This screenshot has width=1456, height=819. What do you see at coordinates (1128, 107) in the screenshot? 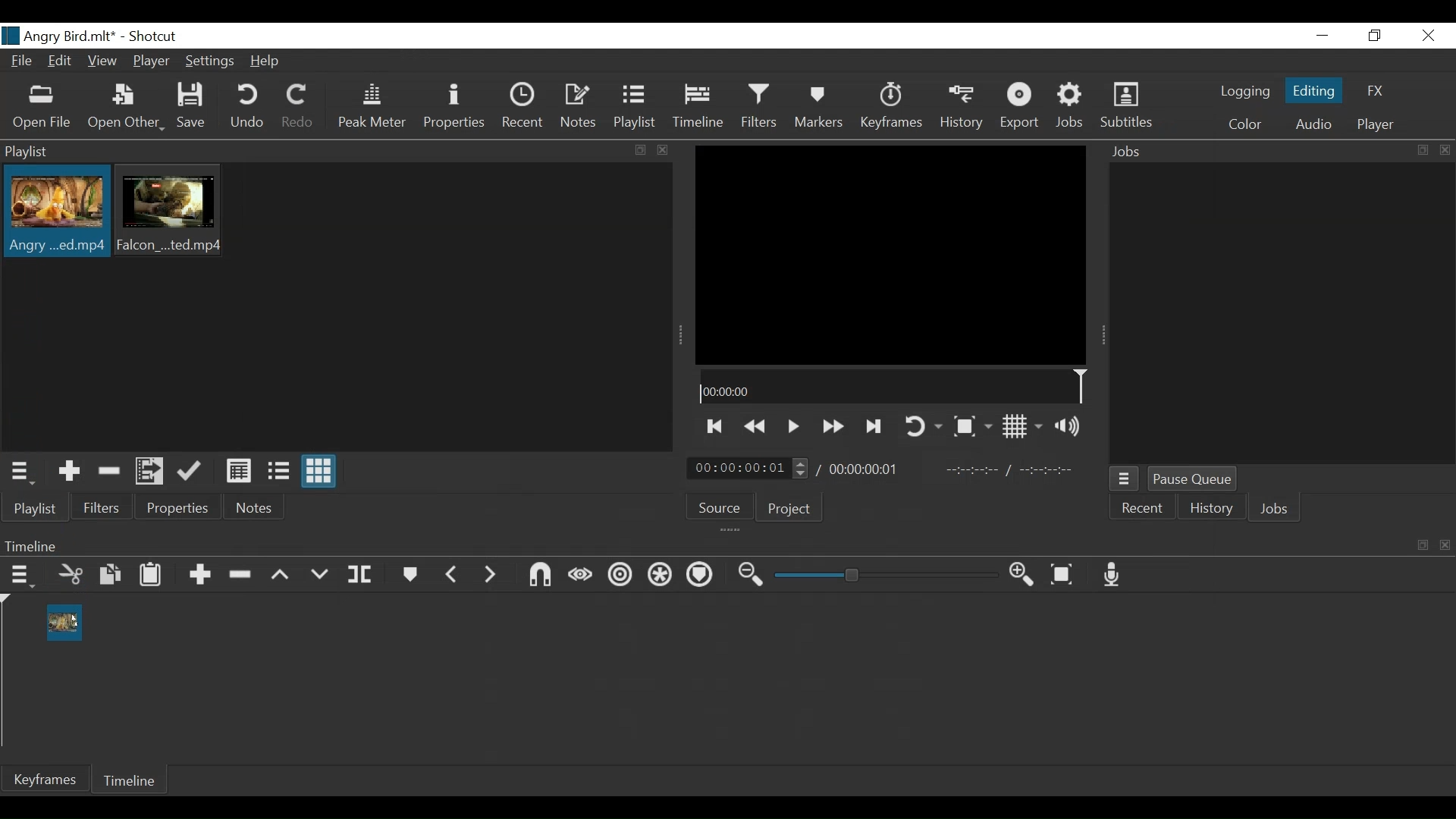
I see `Subtitles` at bounding box center [1128, 107].